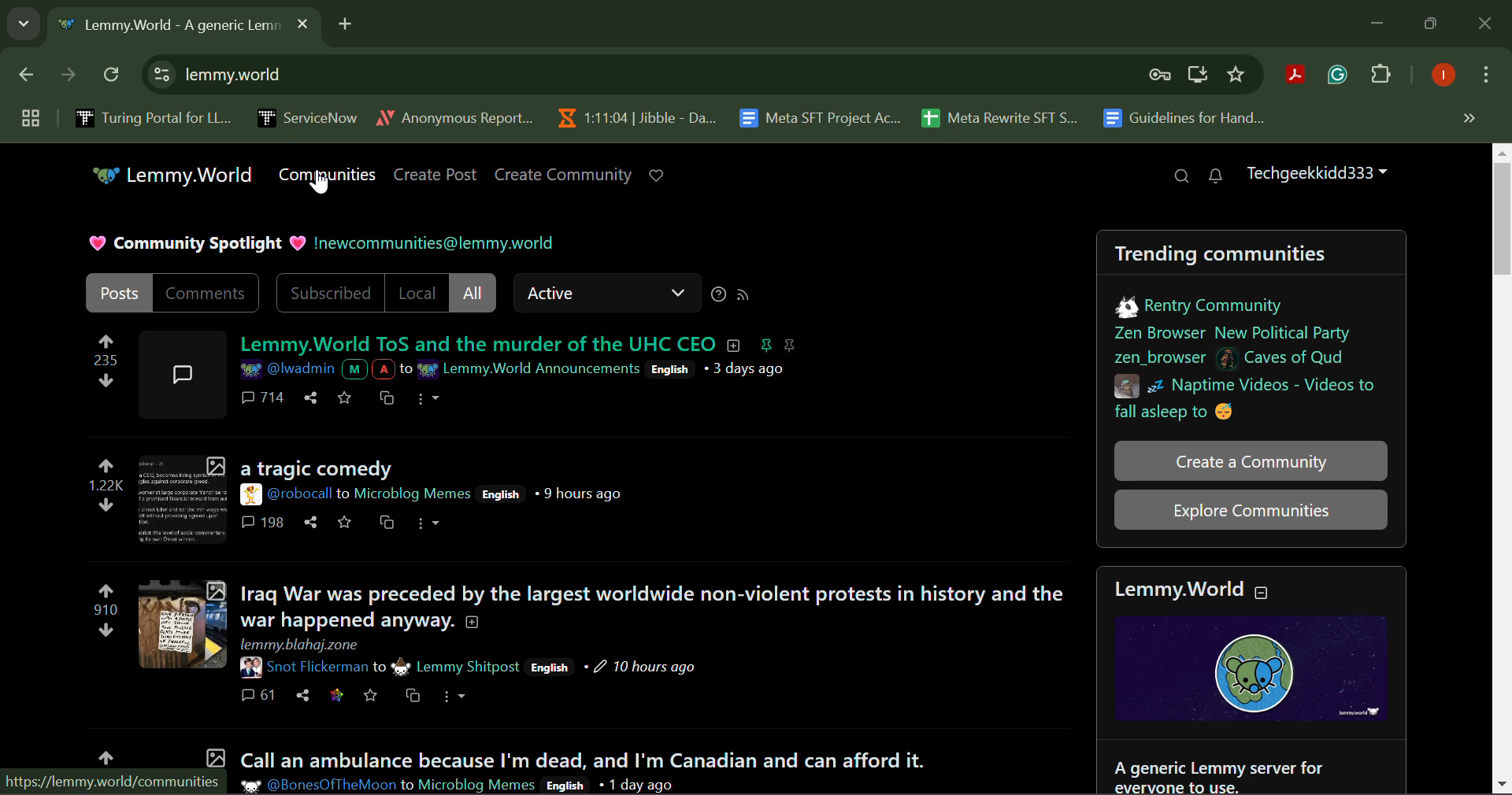  What do you see at coordinates (257, 696) in the screenshot?
I see `Comments` at bounding box center [257, 696].